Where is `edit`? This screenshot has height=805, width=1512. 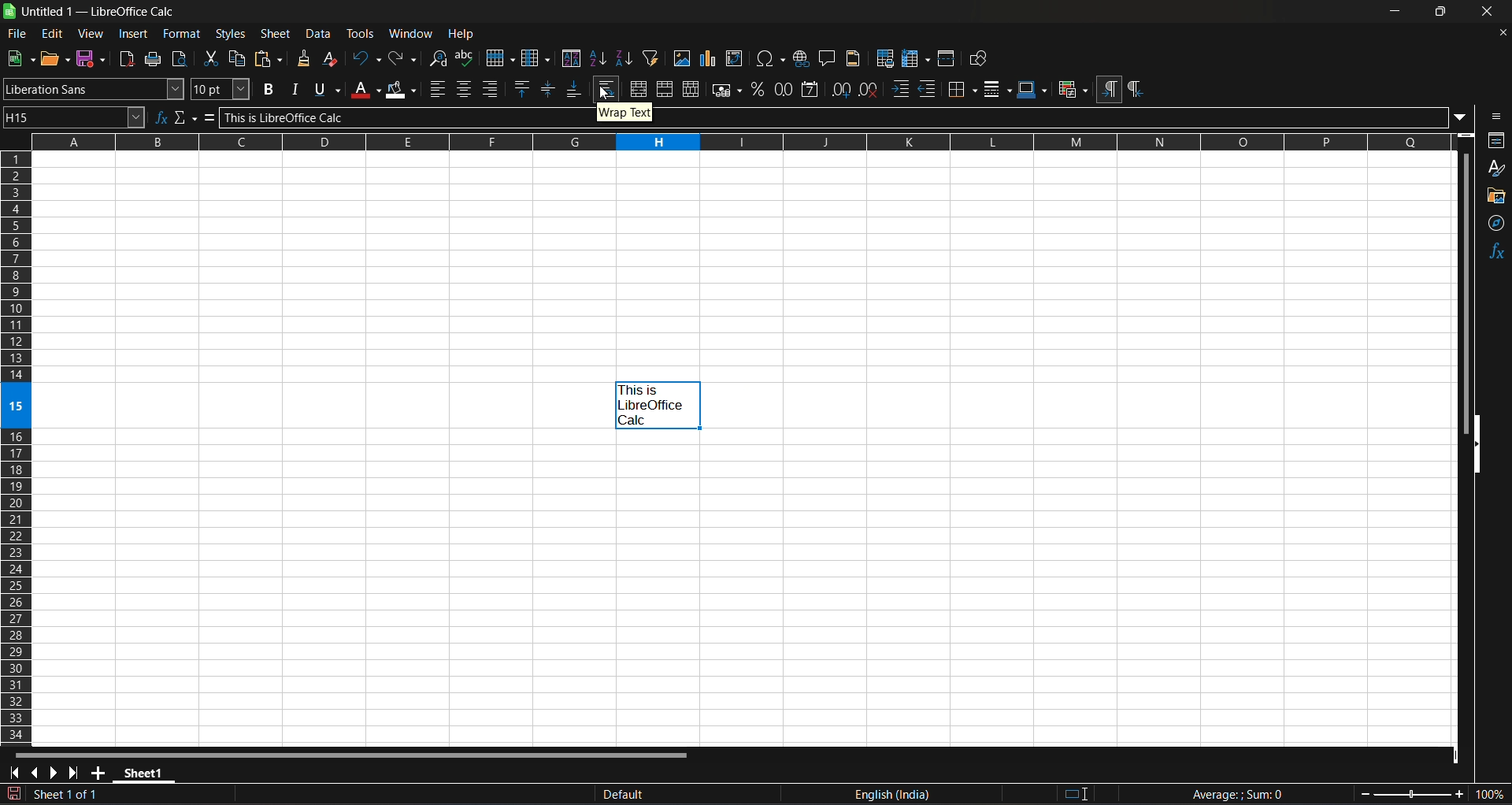 edit is located at coordinates (53, 33).